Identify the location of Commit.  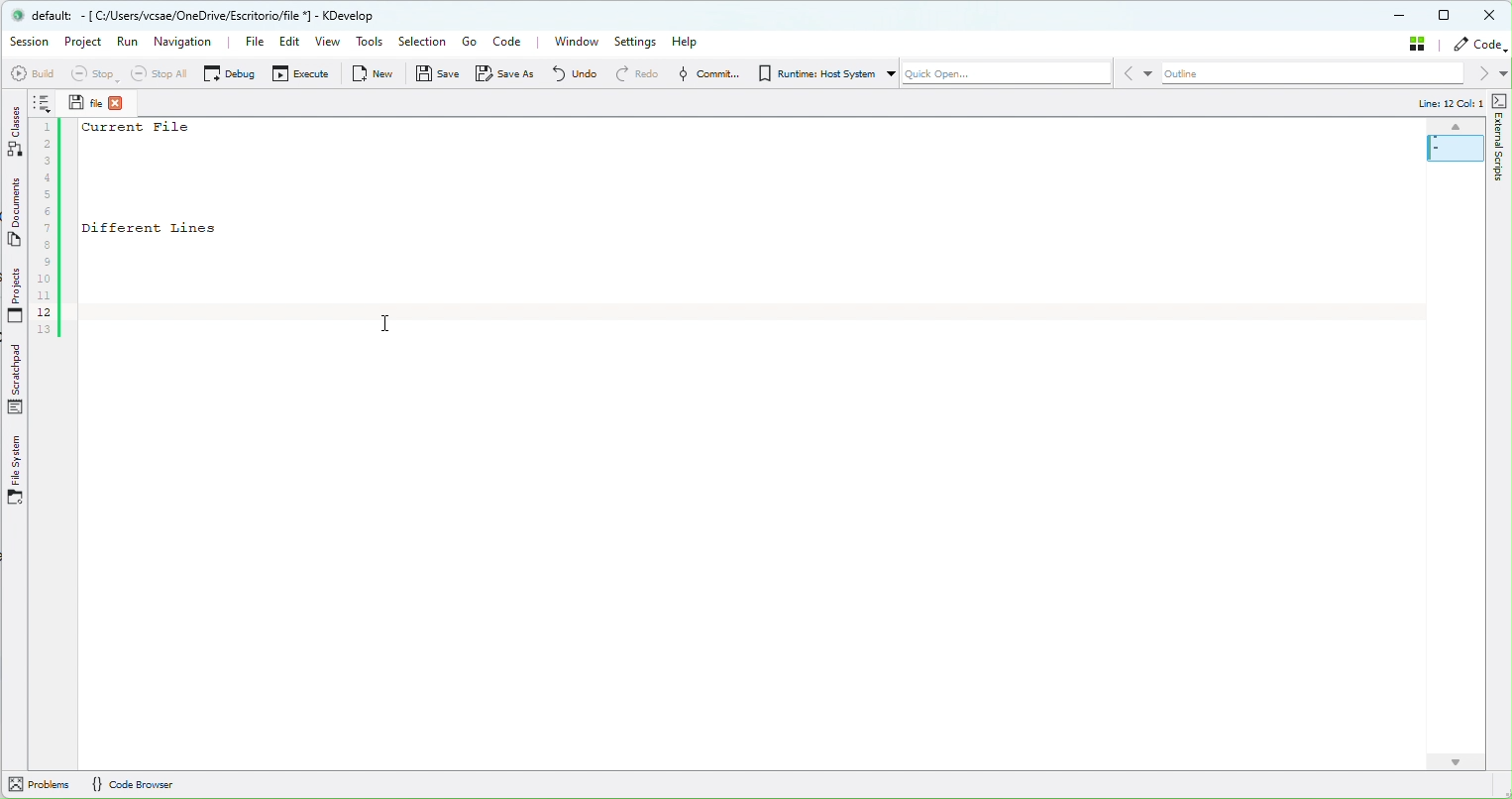
(702, 74).